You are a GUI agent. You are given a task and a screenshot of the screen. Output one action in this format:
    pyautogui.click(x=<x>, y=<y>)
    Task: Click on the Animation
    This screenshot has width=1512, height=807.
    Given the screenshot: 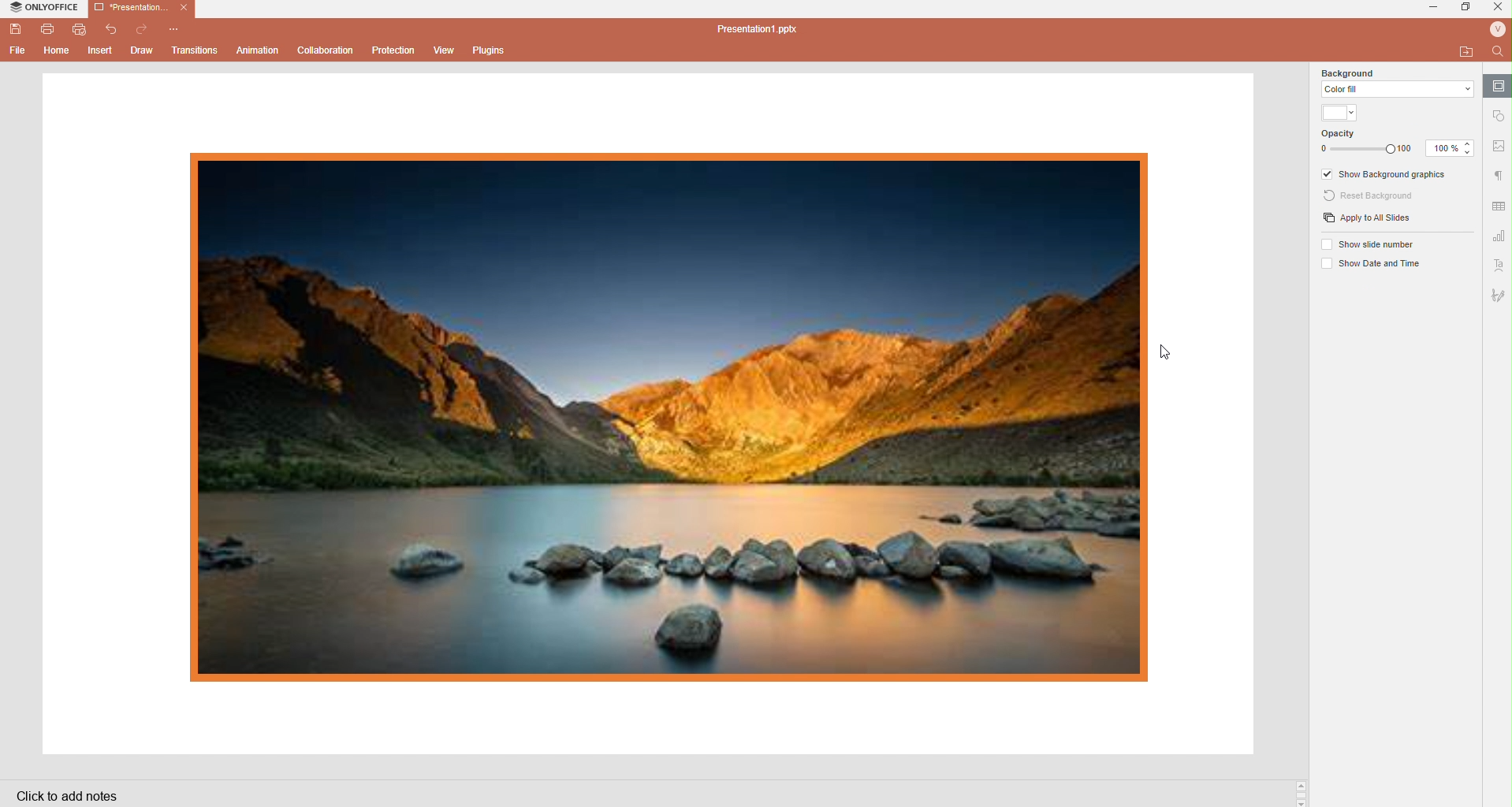 What is the action you would take?
    pyautogui.click(x=259, y=51)
    